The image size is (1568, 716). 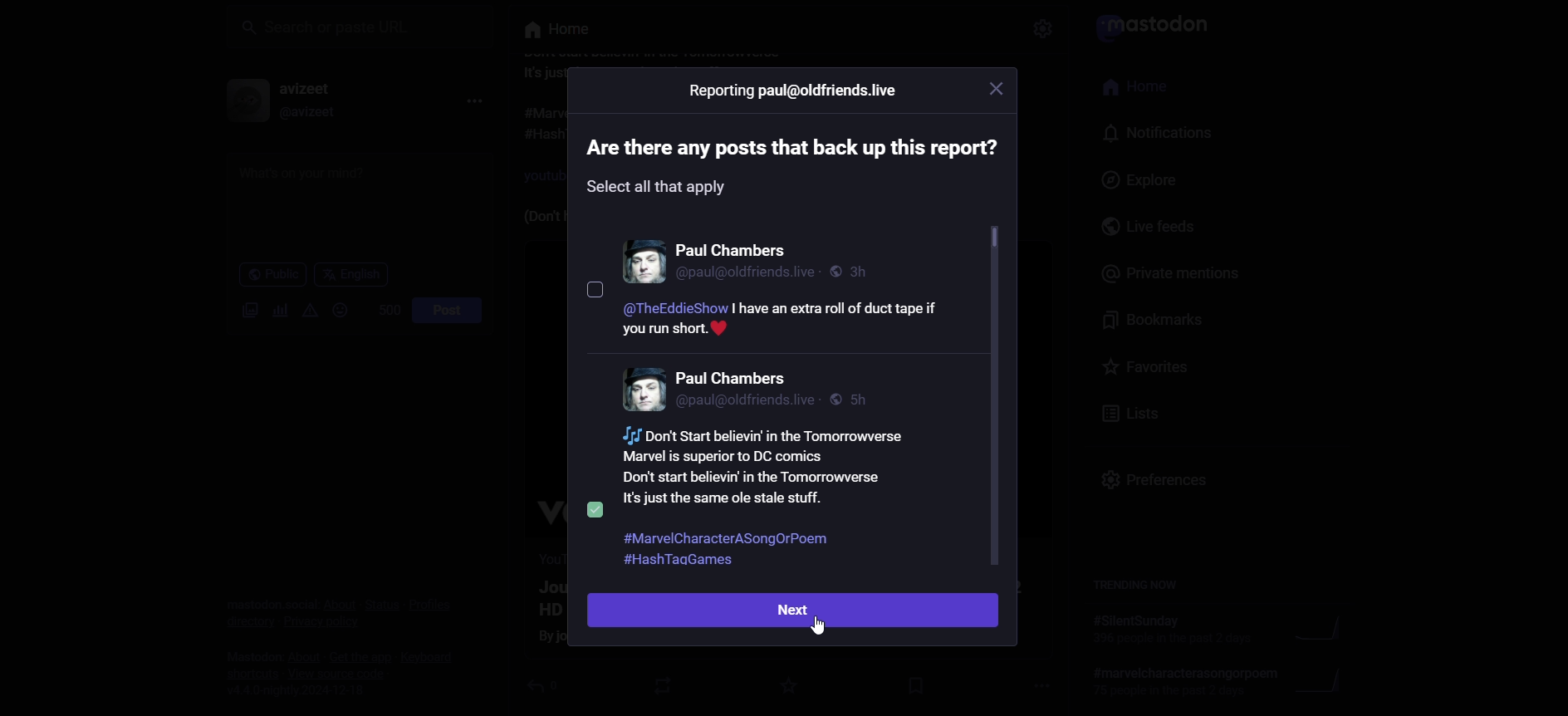 What do you see at coordinates (1169, 274) in the screenshot?
I see `private mentions` at bounding box center [1169, 274].